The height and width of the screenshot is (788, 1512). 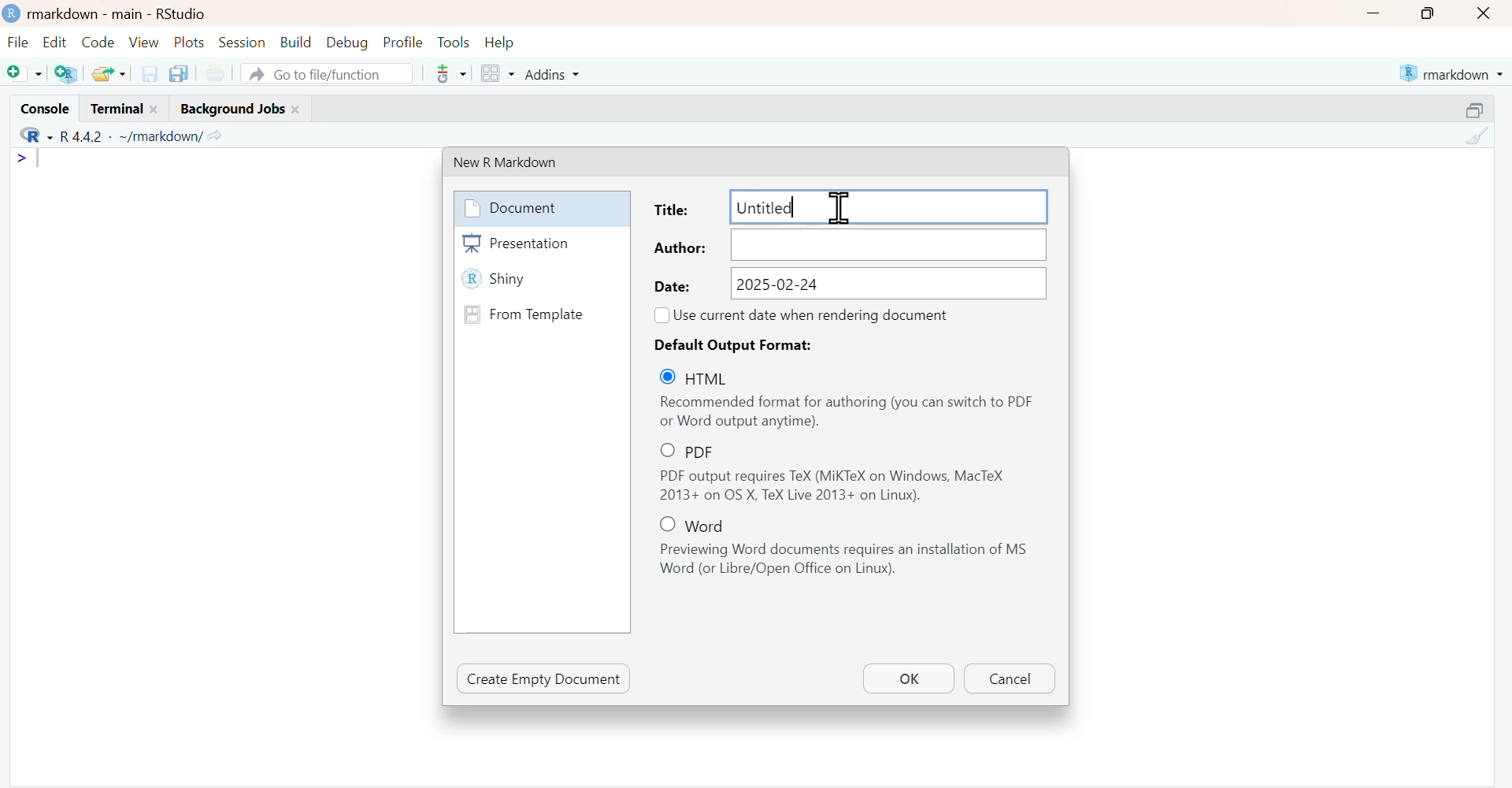 What do you see at coordinates (836, 206) in the screenshot?
I see `cursor` at bounding box center [836, 206].